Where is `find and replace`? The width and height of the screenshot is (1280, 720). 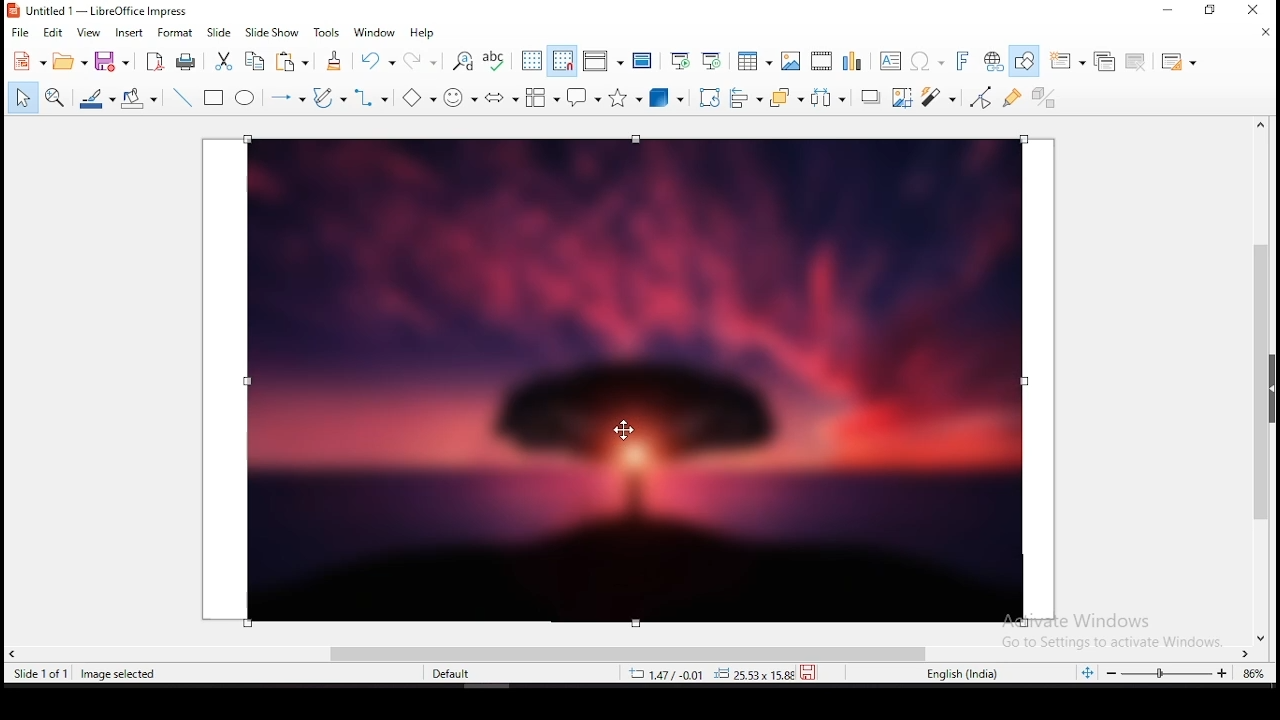
find and replace is located at coordinates (464, 62).